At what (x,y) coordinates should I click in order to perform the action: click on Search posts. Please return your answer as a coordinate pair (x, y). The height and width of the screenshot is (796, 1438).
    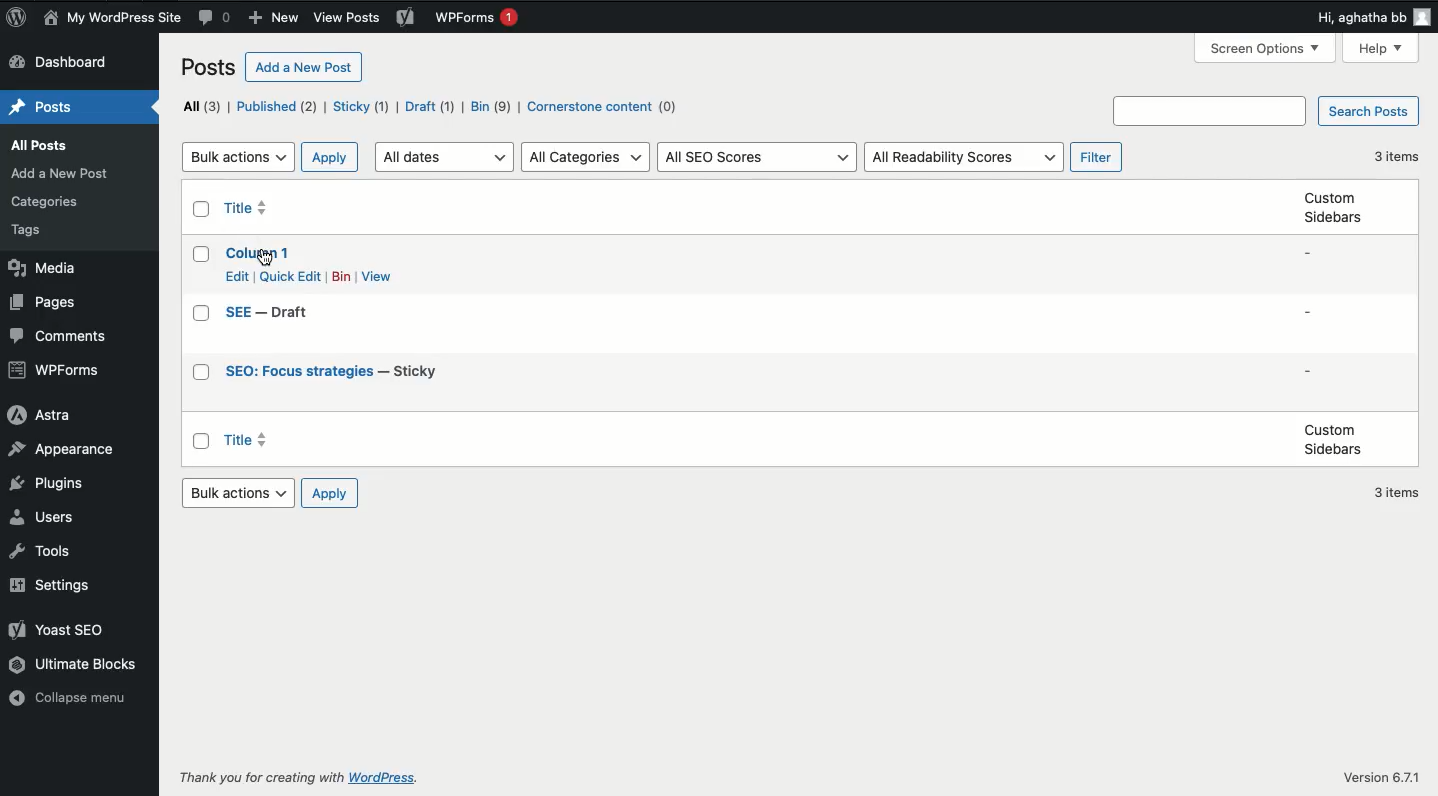
    Looking at the image, I should click on (1371, 111).